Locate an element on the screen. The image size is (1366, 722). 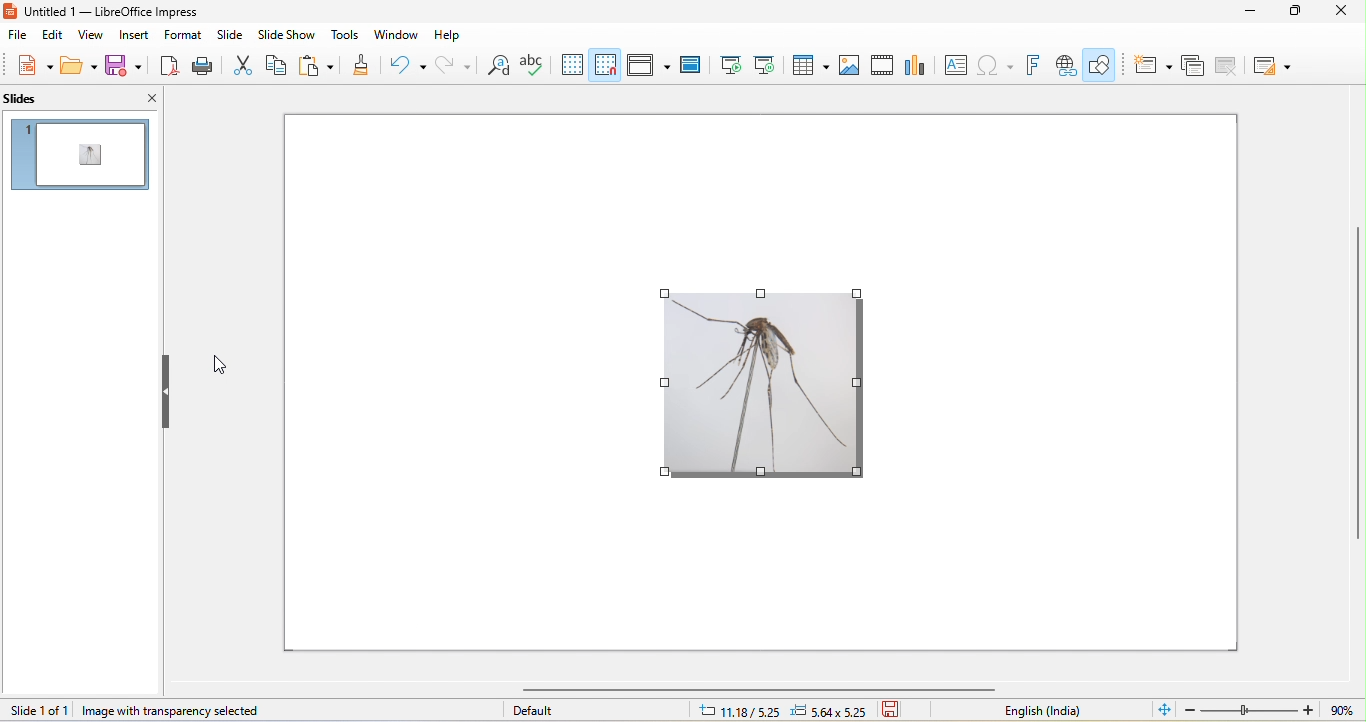
window is located at coordinates (394, 35).